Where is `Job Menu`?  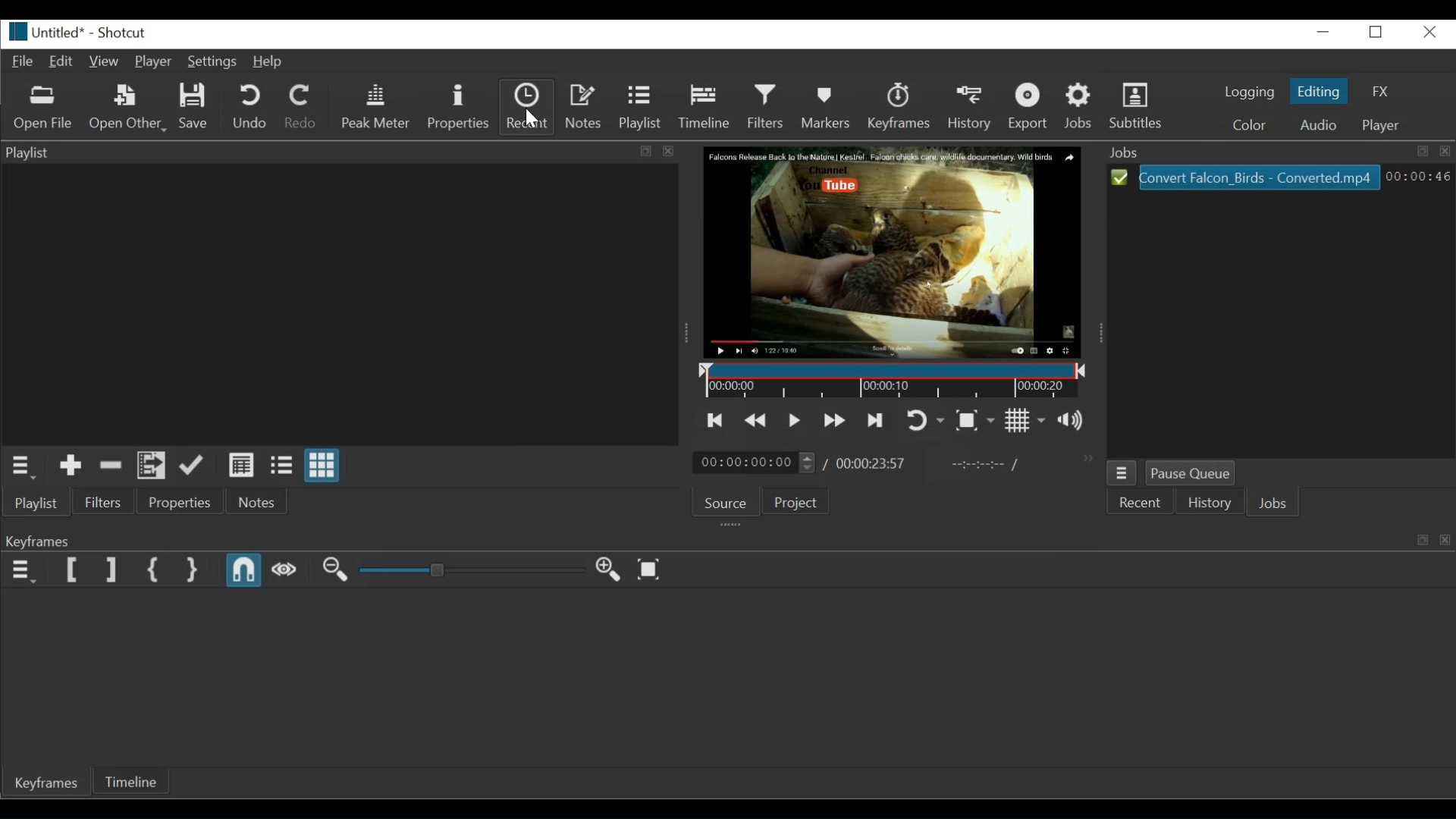
Job Menu is located at coordinates (1122, 475).